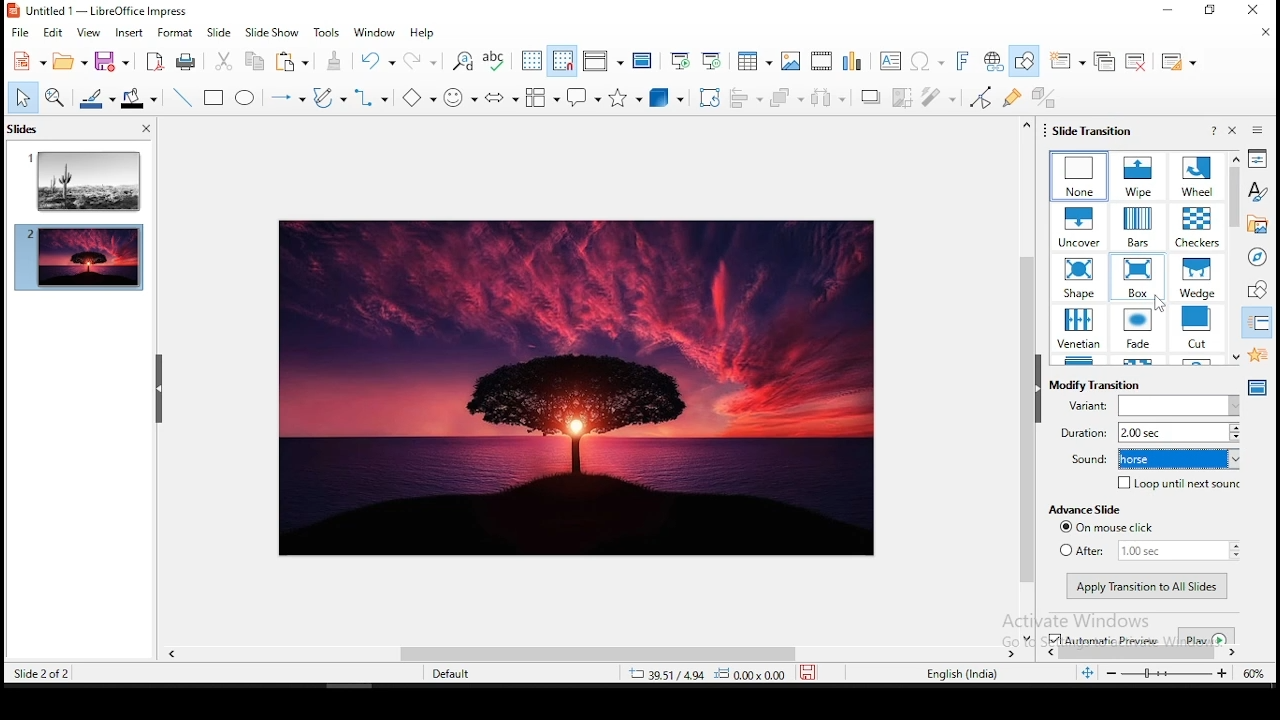 Image resolution: width=1280 pixels, height=720 pixels. What do you see at coordinates (379, 61) in the screenshot?
I see `undo` at bounding box center [379, 61].